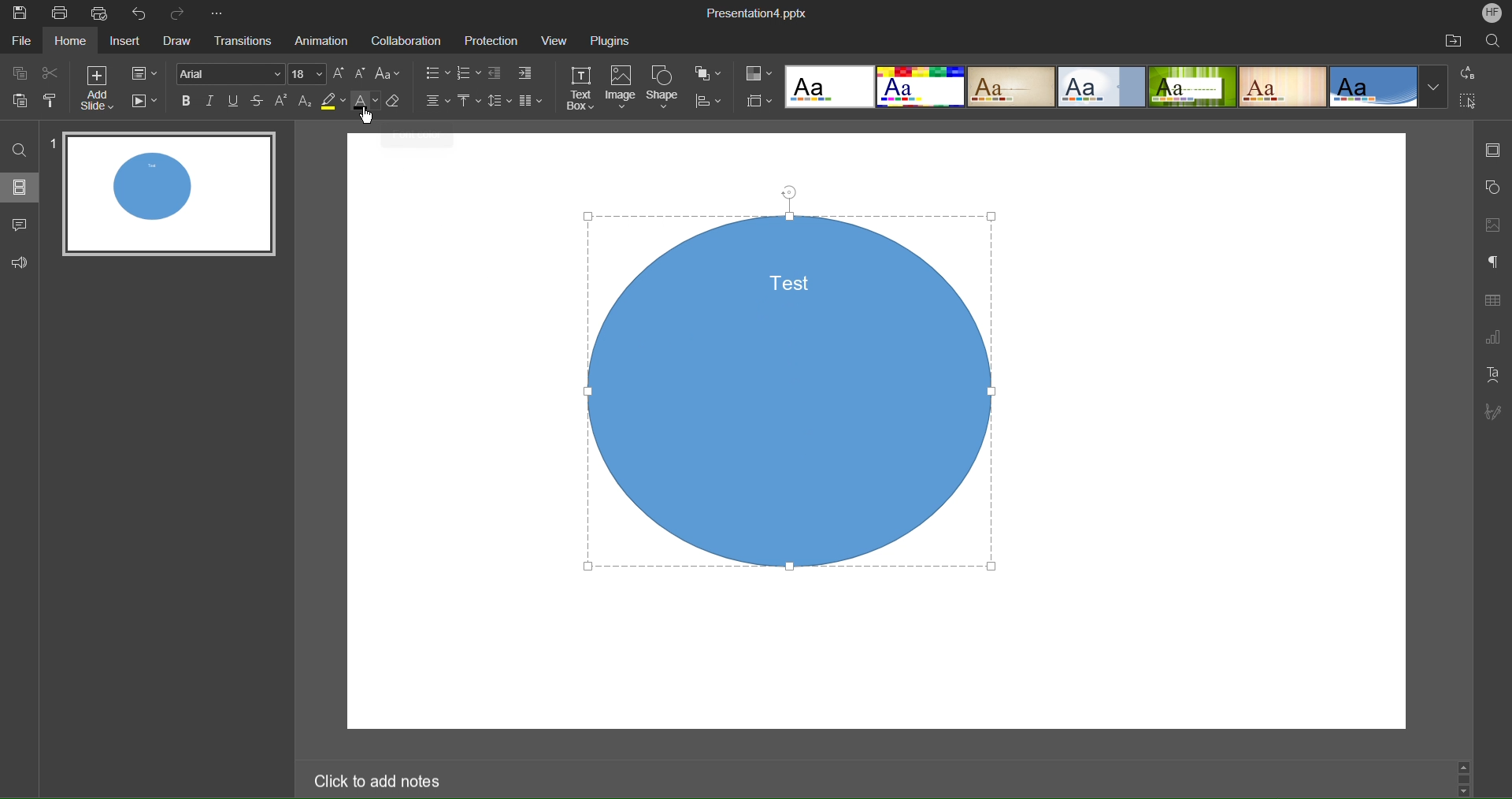 Image resolution: width=1512 pixels, height=799 pixels. I want to click on Text Box, so click(584, 88).